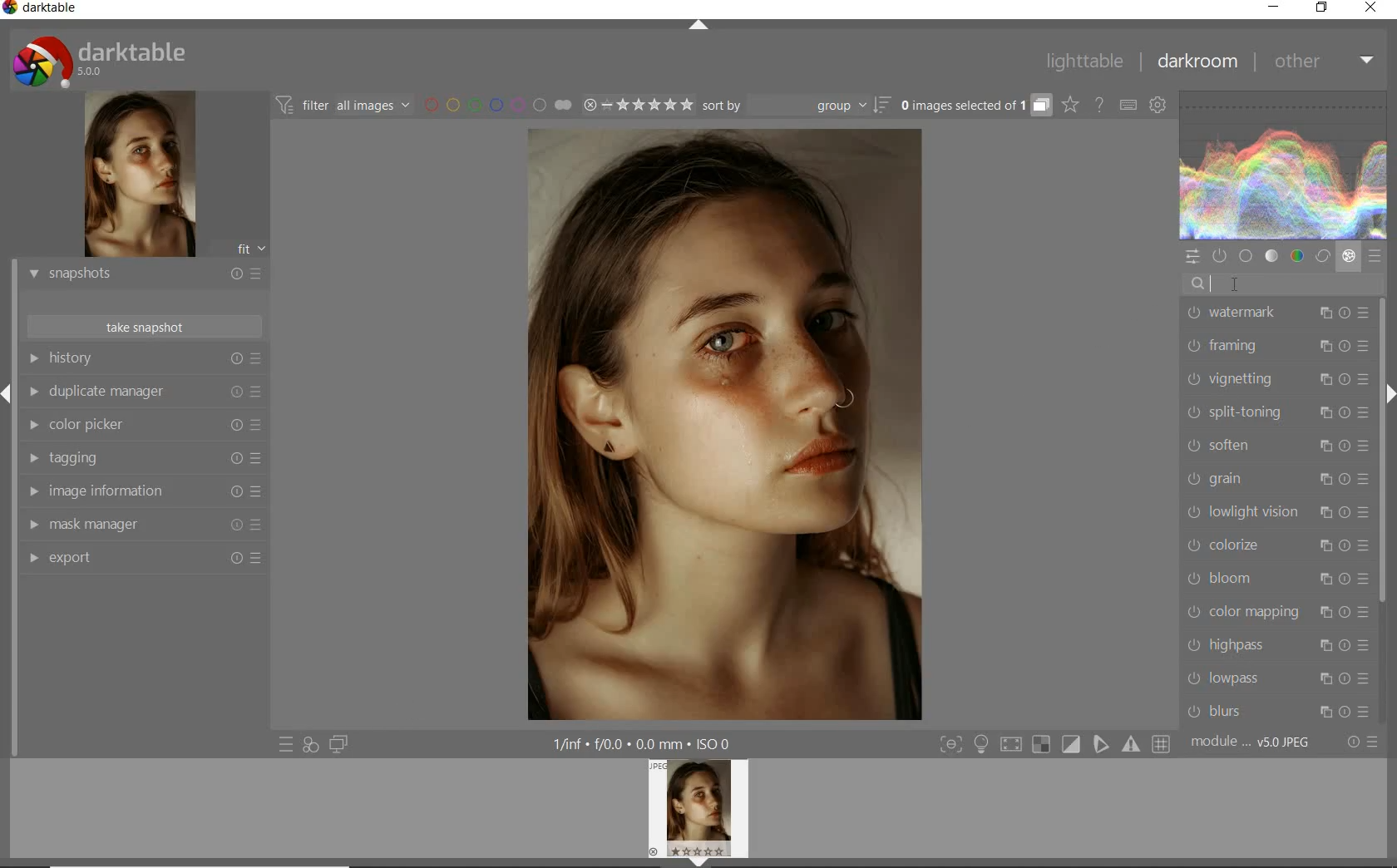 The height and width of the screenshot is (868, 1397). I want to click on correct, so click(1322, 258).